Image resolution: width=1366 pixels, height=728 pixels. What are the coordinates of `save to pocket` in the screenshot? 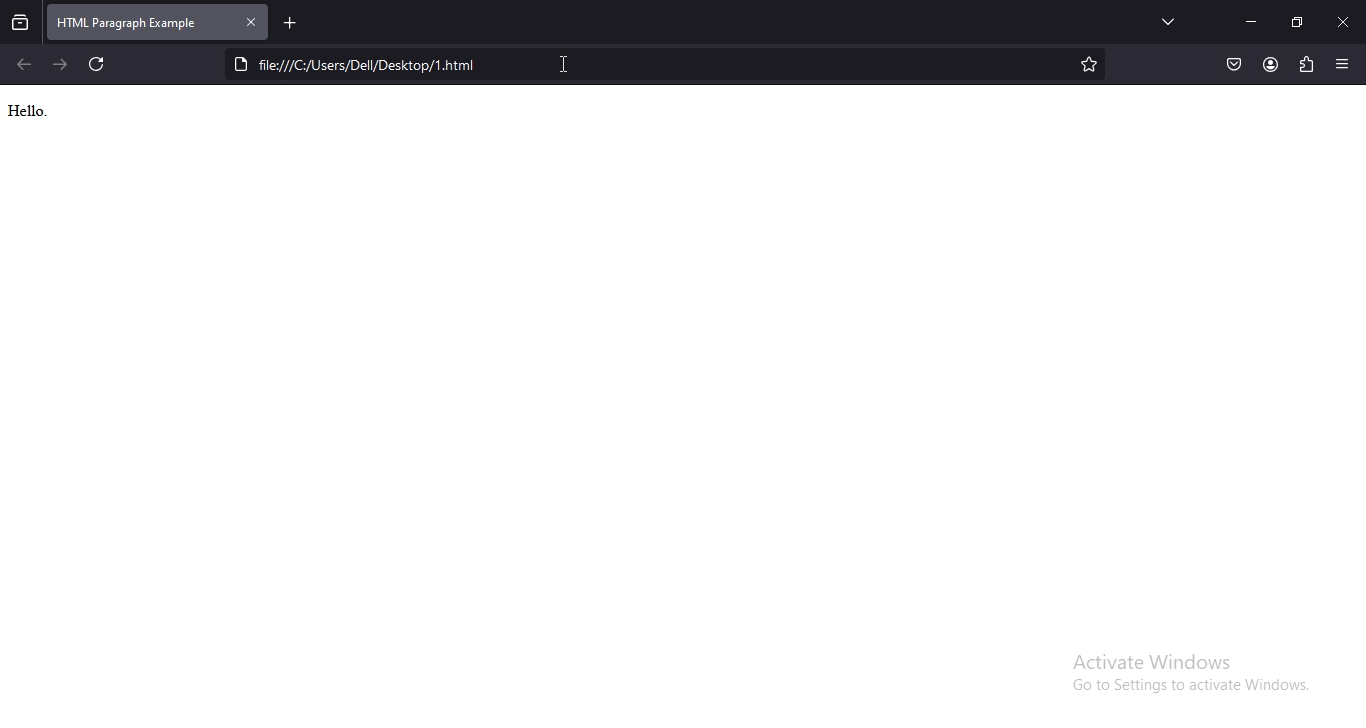 It's located at (1234, 64).